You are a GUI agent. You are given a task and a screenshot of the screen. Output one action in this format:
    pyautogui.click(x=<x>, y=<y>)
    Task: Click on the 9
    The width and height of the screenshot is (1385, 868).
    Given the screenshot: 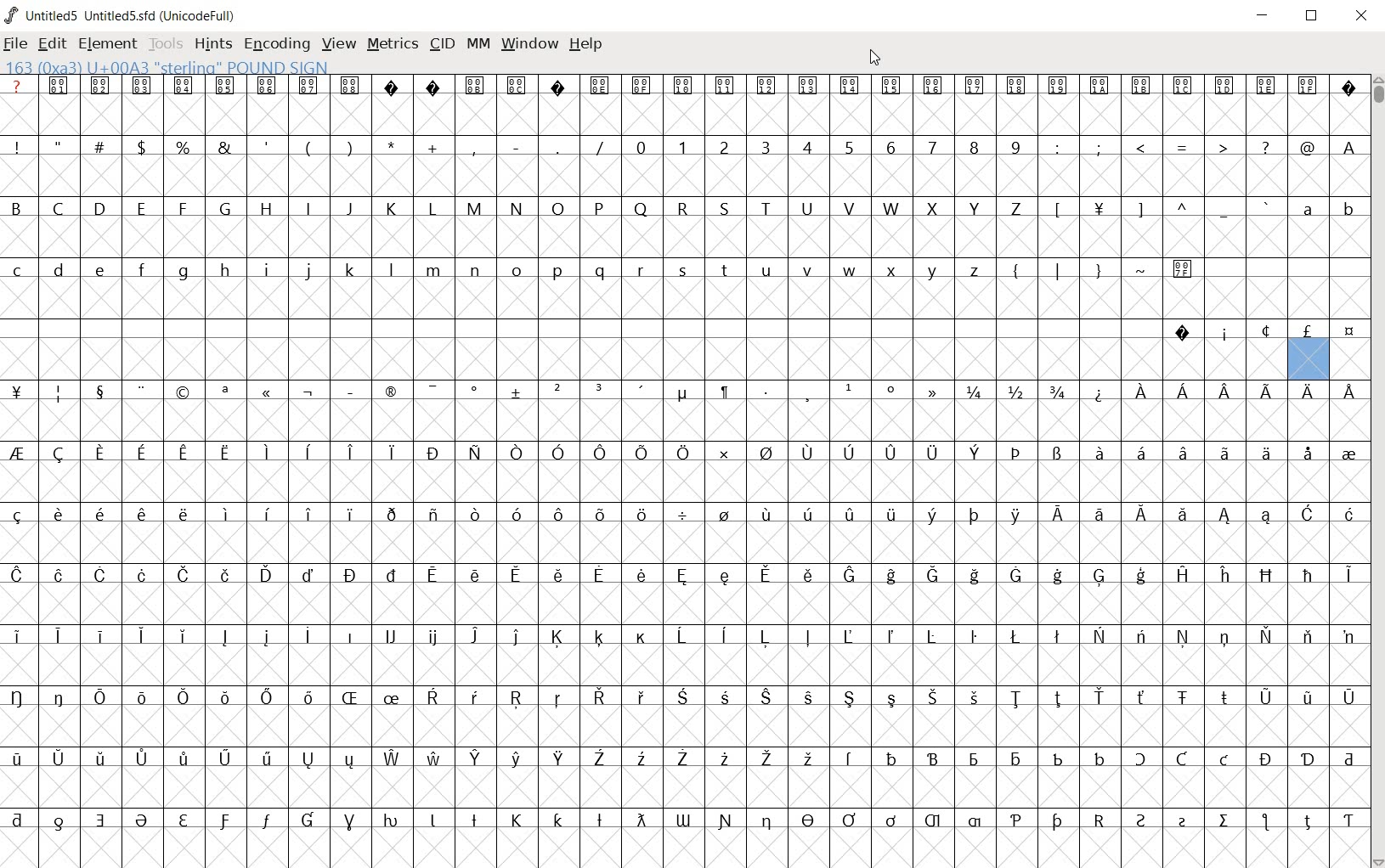 What is the action you would take?
    pyautogui.click(x=1015, y=146)
    